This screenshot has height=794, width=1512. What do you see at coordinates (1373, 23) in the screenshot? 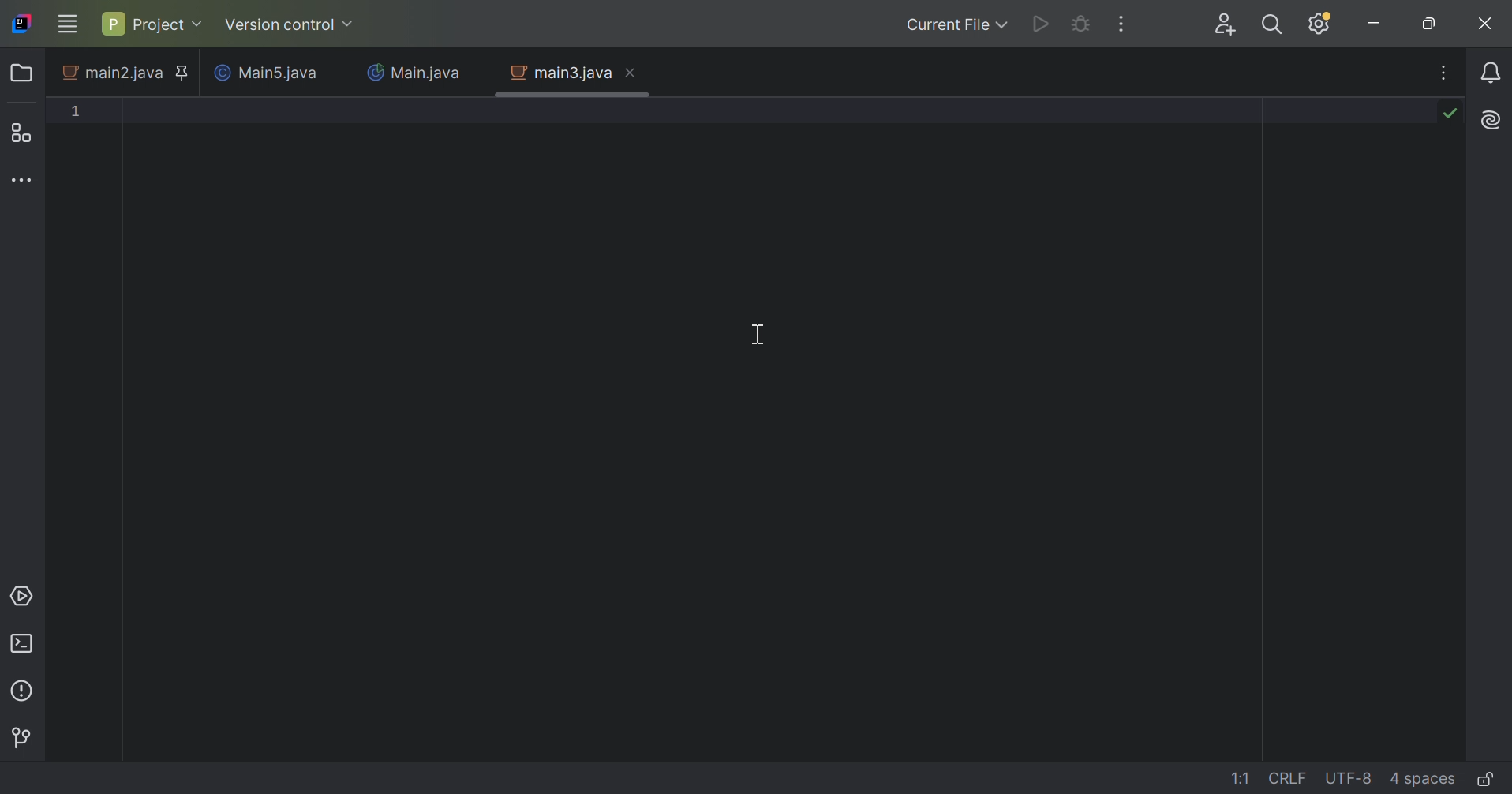
I see `Minimize` at bounding box center [1373, 23].